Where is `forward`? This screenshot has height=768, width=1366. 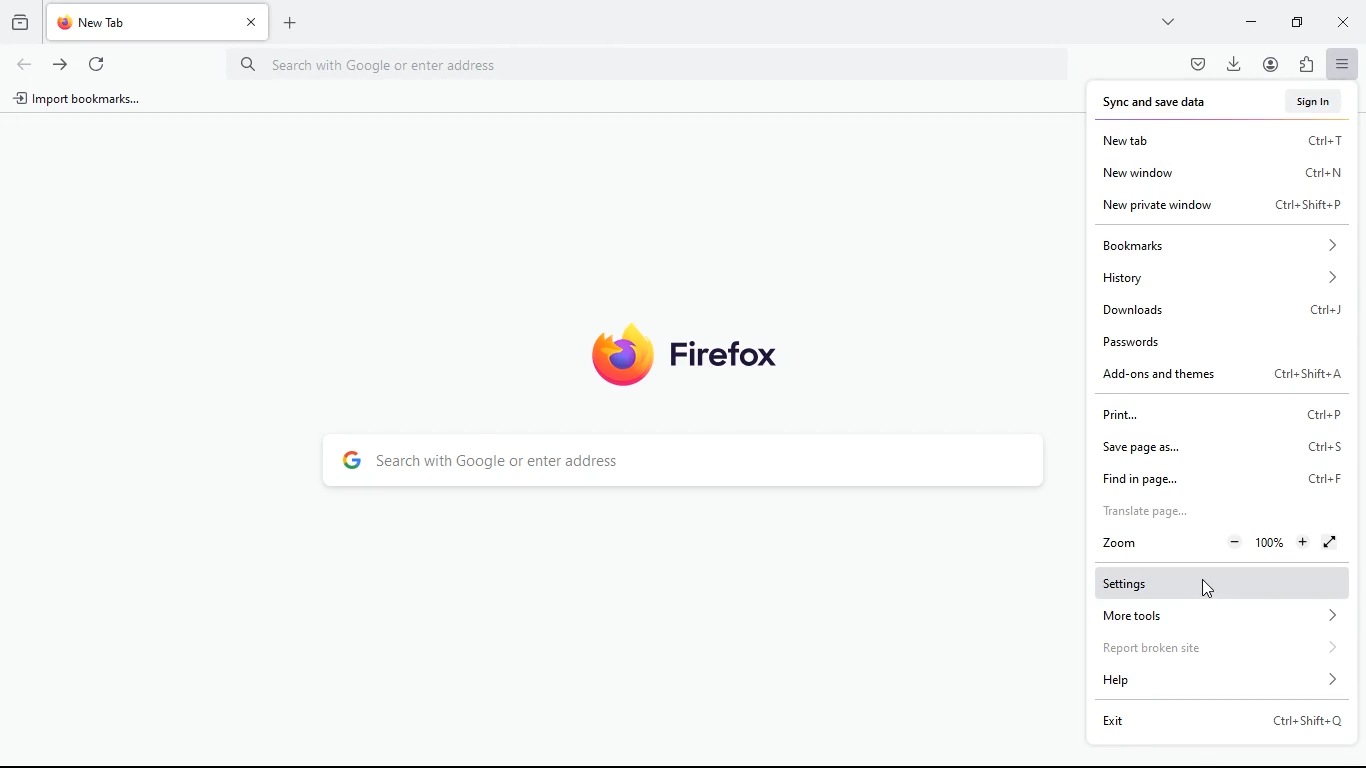
forward is located at coordinates (61, 66).